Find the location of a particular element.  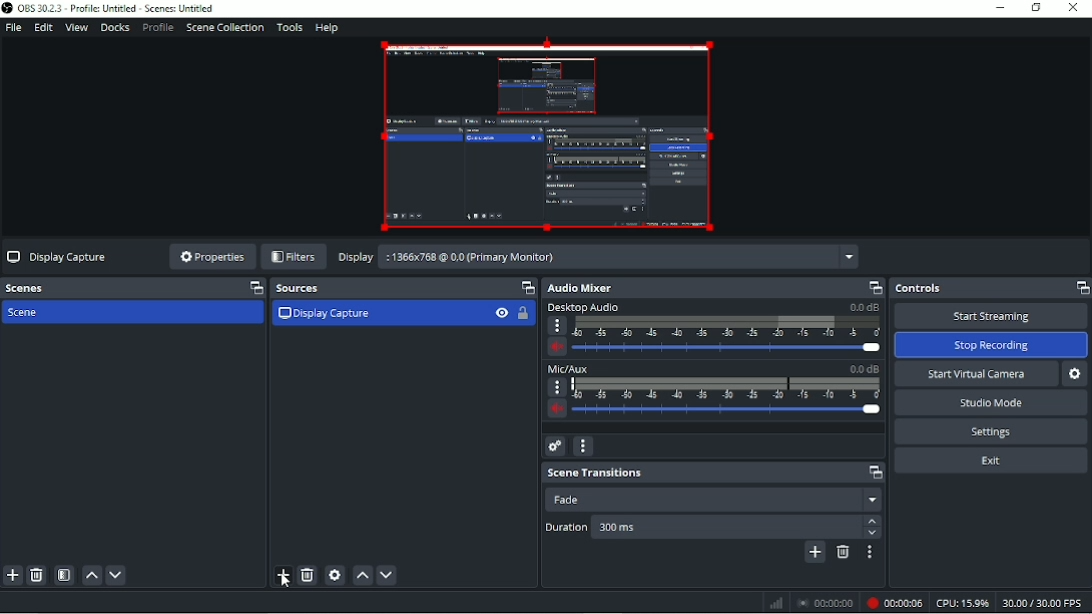

Docks is located at coordinates (114, 28).